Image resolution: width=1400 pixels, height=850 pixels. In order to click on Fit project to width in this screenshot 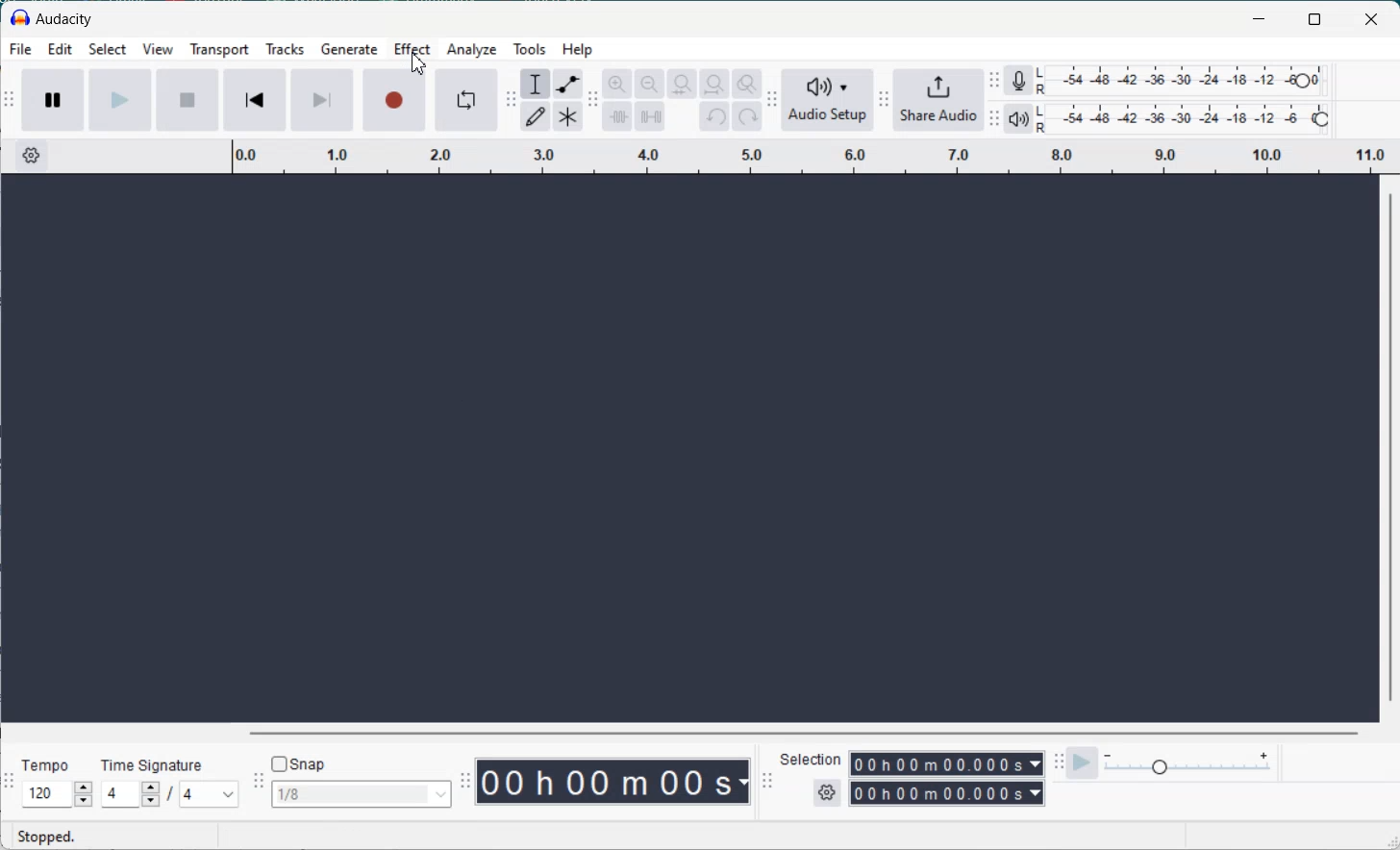, I will do `click(715, 84)`.